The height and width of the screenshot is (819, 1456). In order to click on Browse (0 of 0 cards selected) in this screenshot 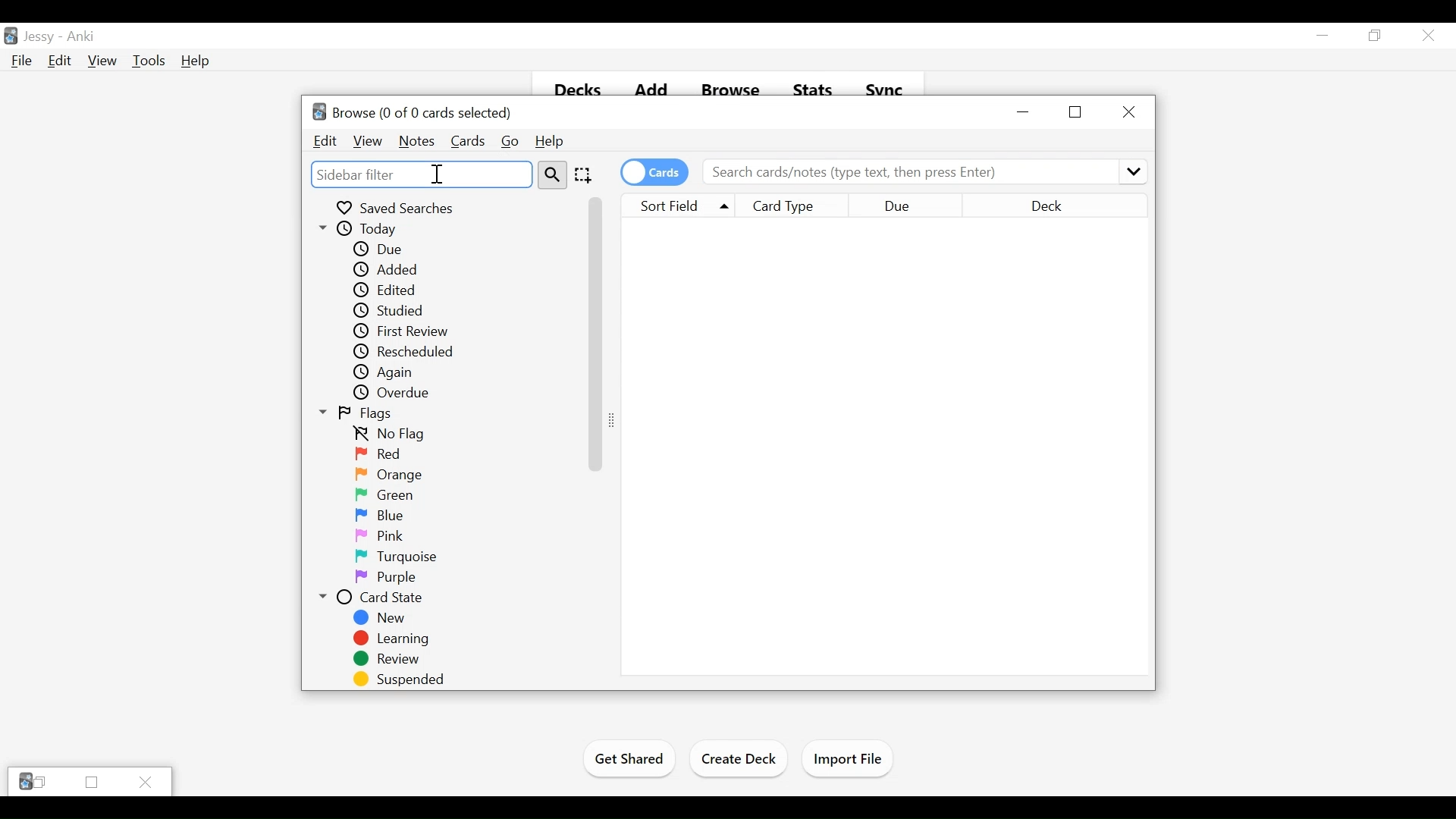, I will do `click(413, 113)`.